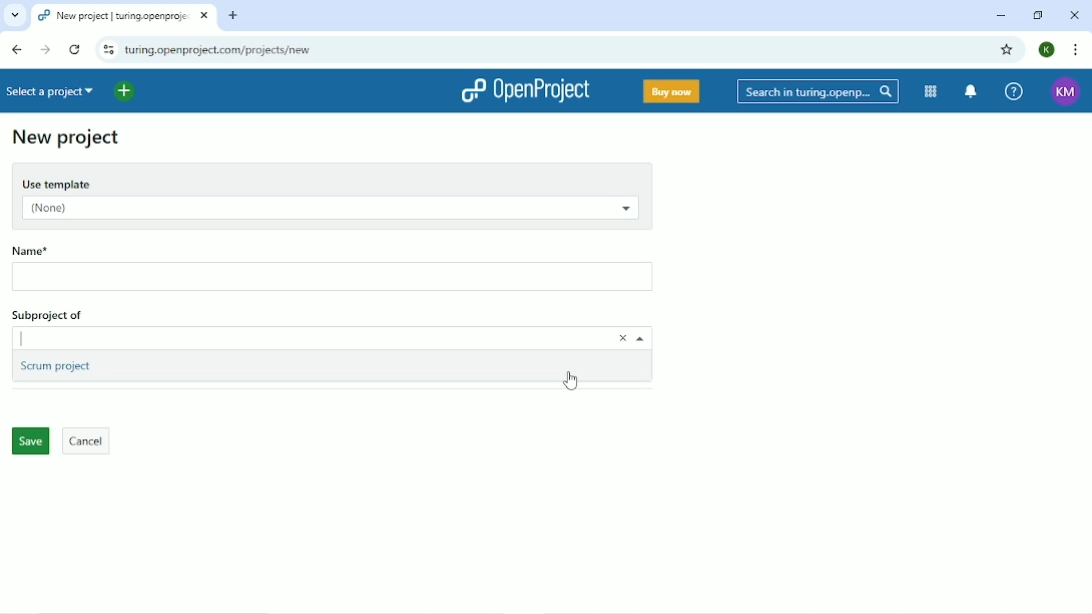 The image size is (1092, 614). What do you see at coordinates (66, 139) in the screenshot?
I see `New project` at bounding box center [66, 139].